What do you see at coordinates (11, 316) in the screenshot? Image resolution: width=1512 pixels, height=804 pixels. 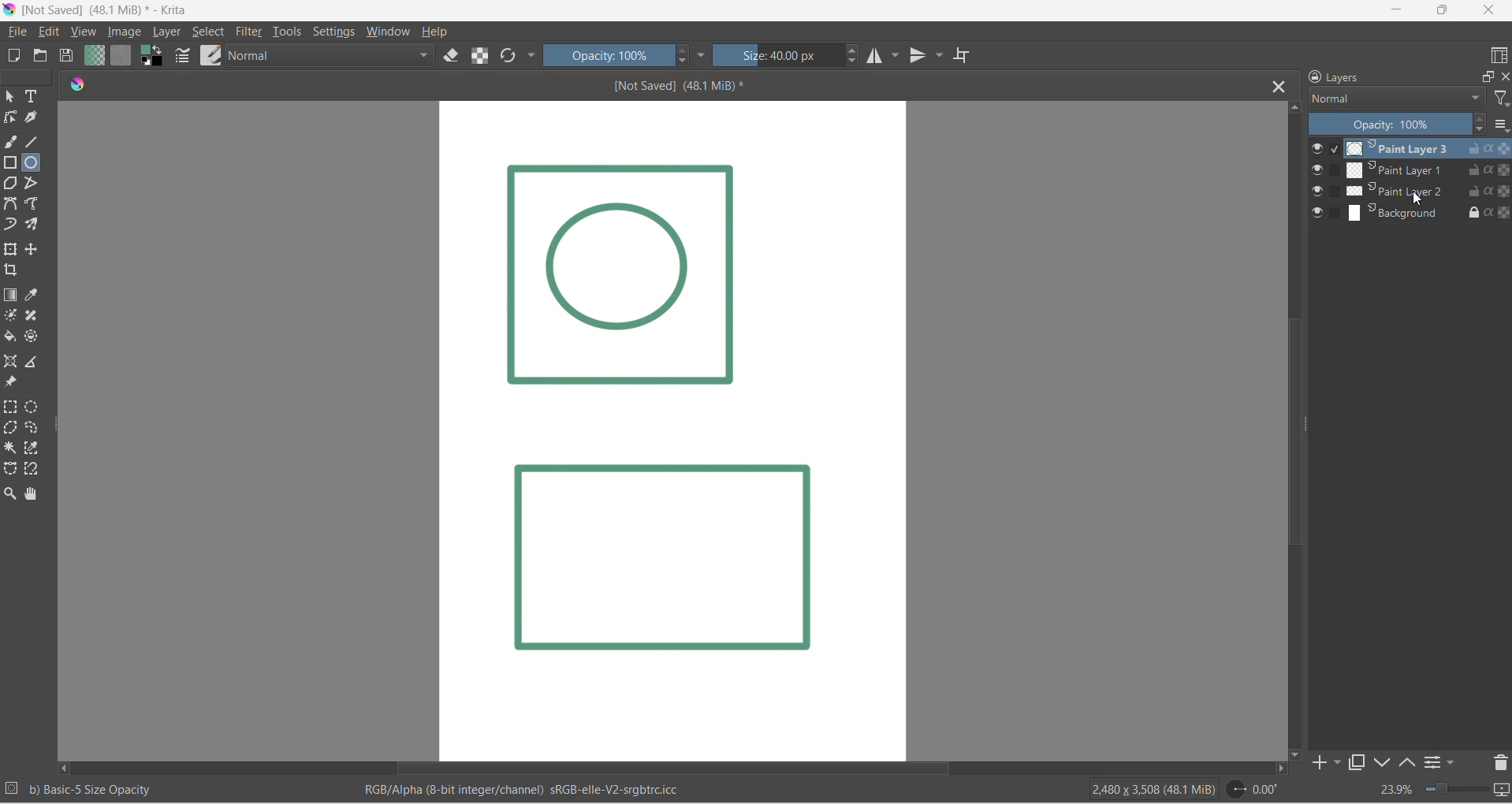 I see `mask tool` at bounding box center [11, 316].